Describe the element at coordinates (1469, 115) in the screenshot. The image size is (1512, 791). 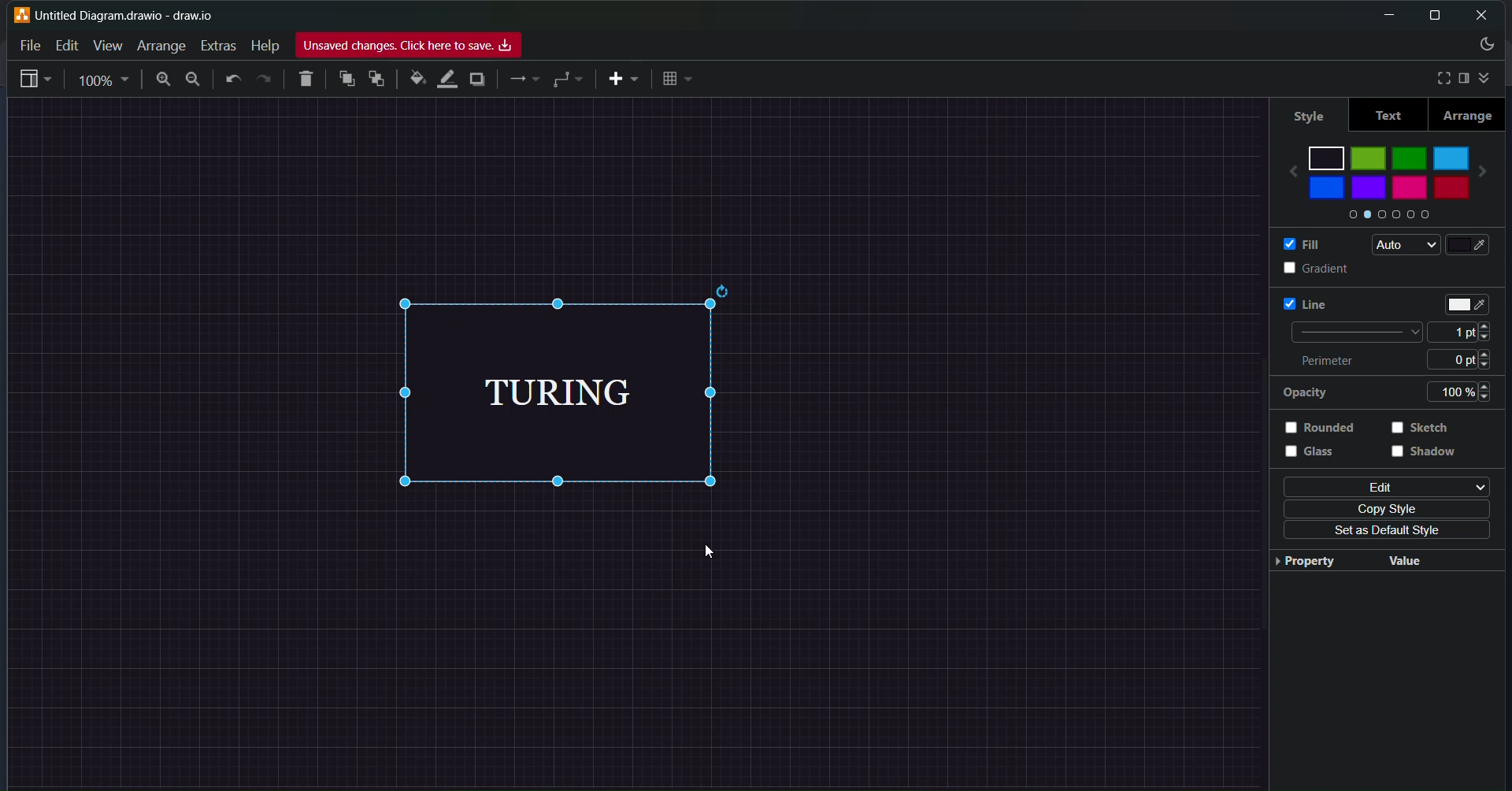
I see `arrange` at that location.